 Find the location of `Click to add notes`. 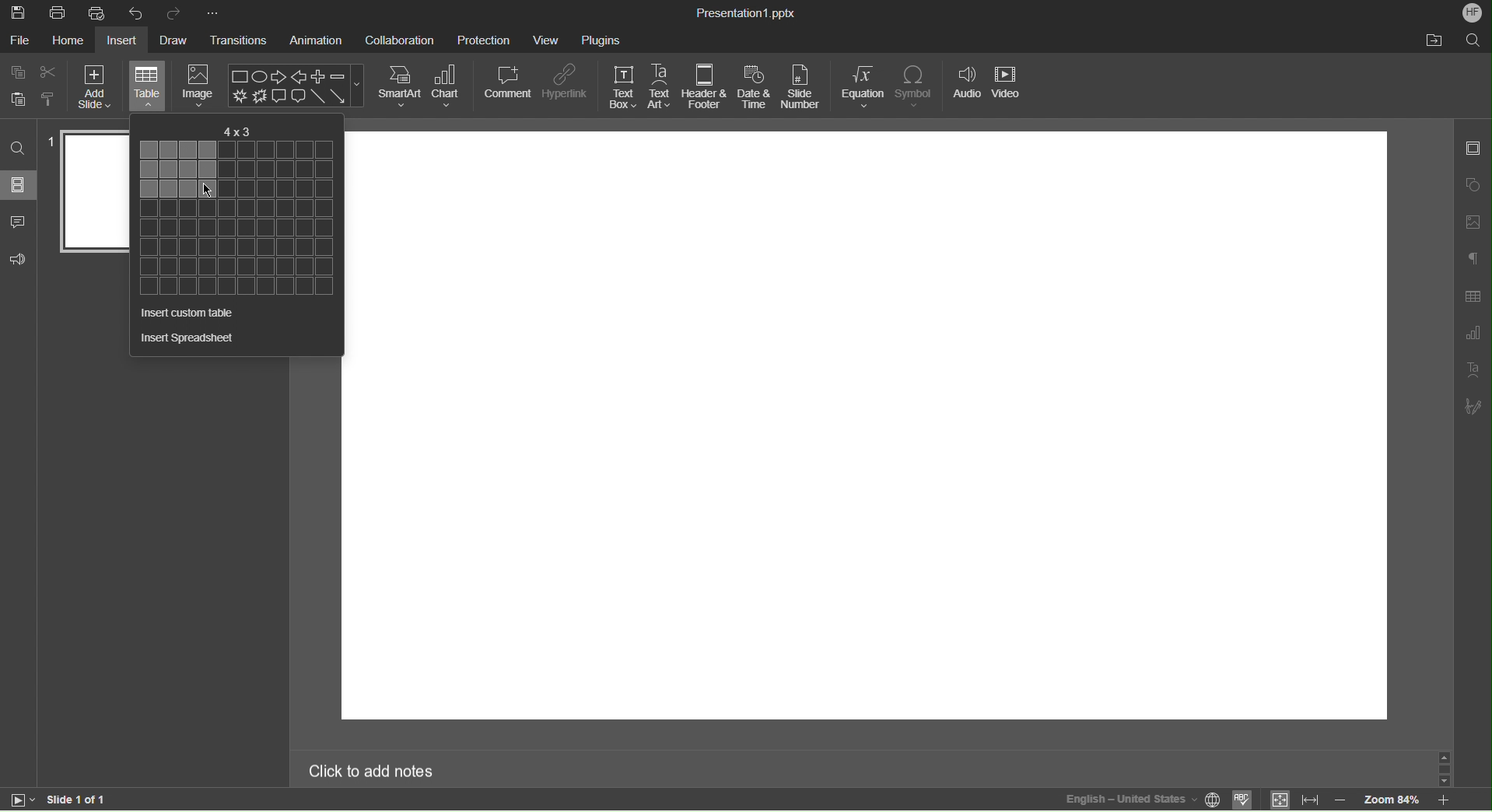

Click to add notes is located at coordinates (373, 769).